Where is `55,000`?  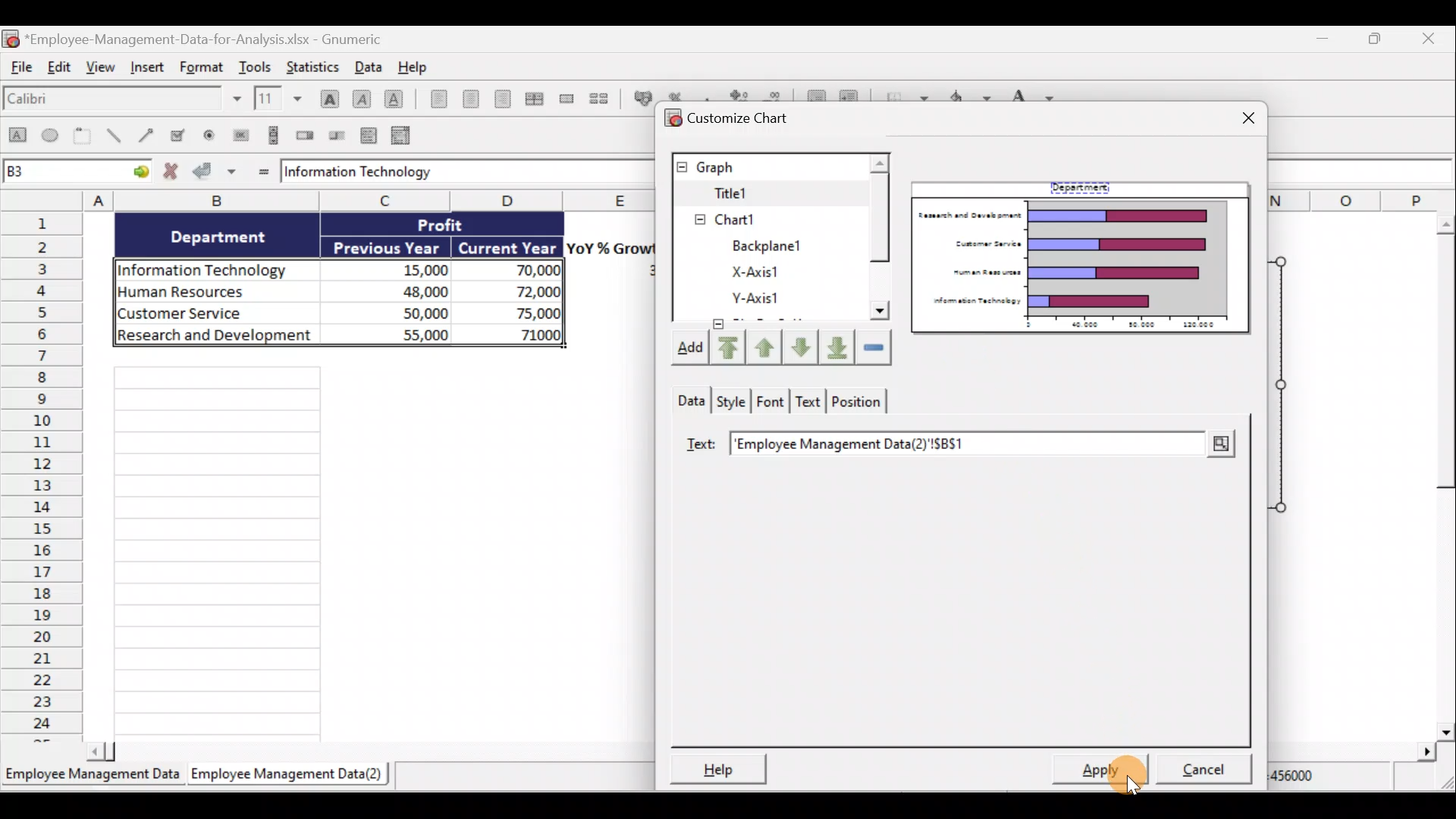 55,000 is located at coordinates (406, 334).